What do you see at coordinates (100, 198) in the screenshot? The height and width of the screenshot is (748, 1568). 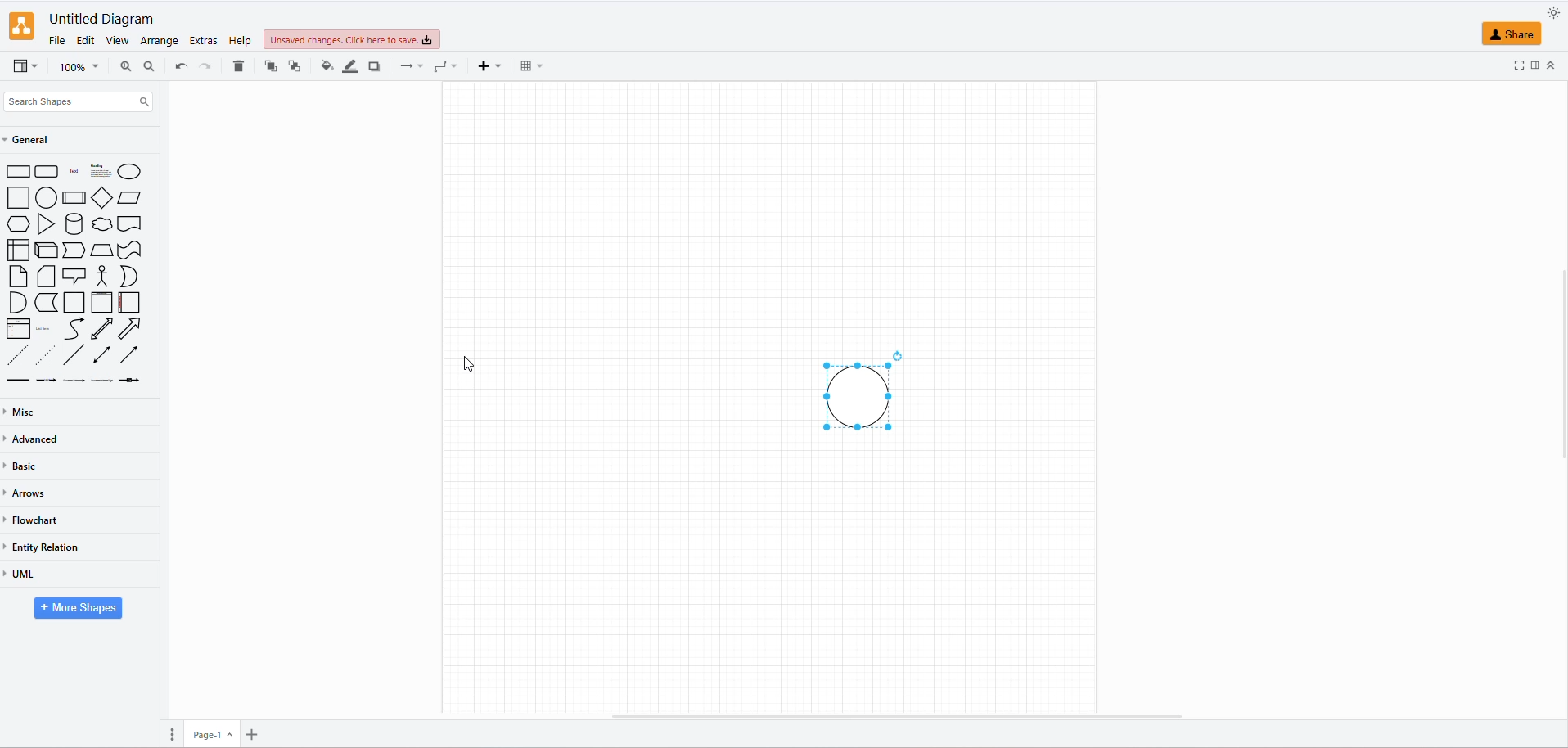 I see `DIAMOND` at bounding box center [100, 198].